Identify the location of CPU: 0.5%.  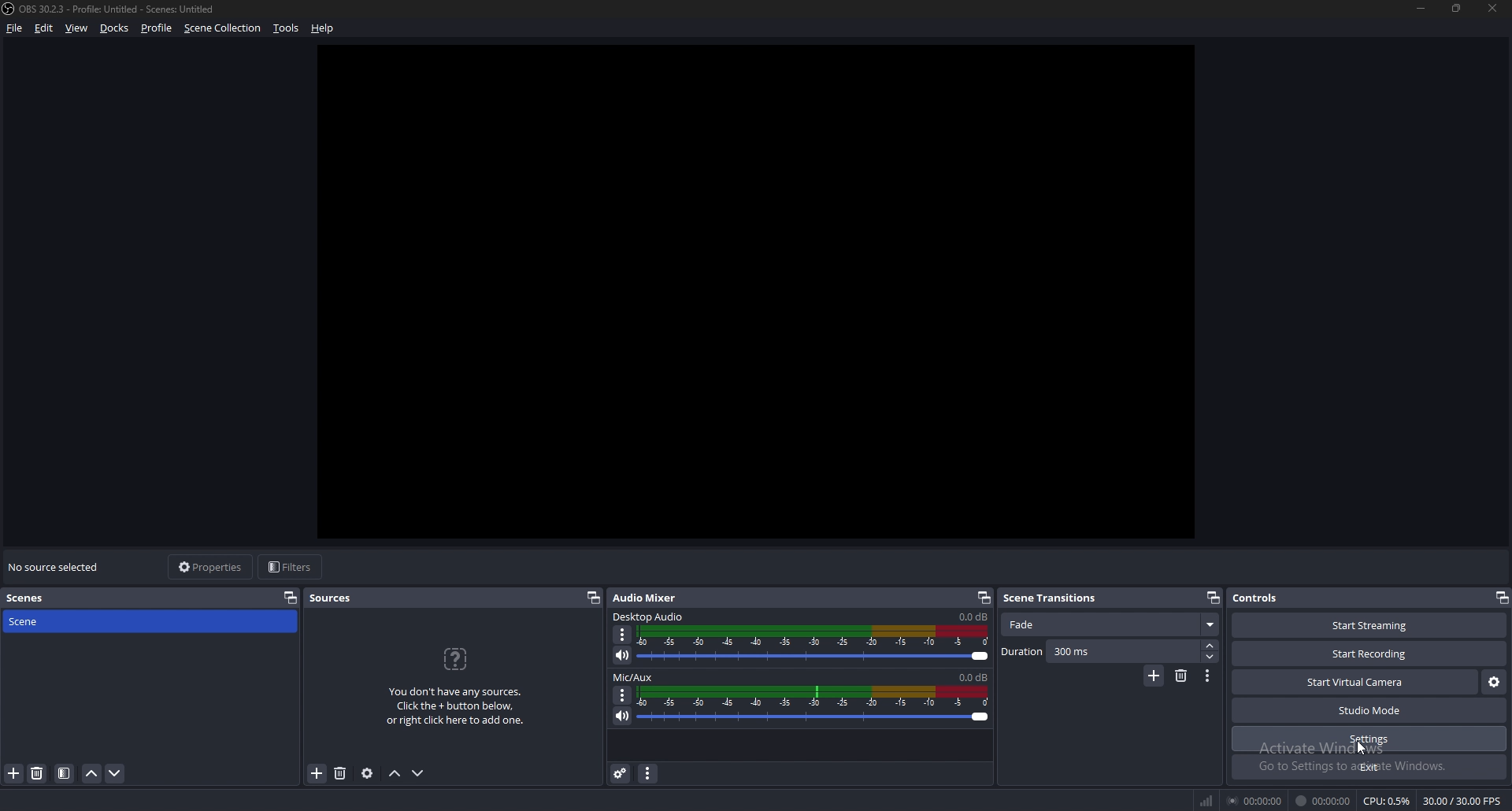
(1386, 800).